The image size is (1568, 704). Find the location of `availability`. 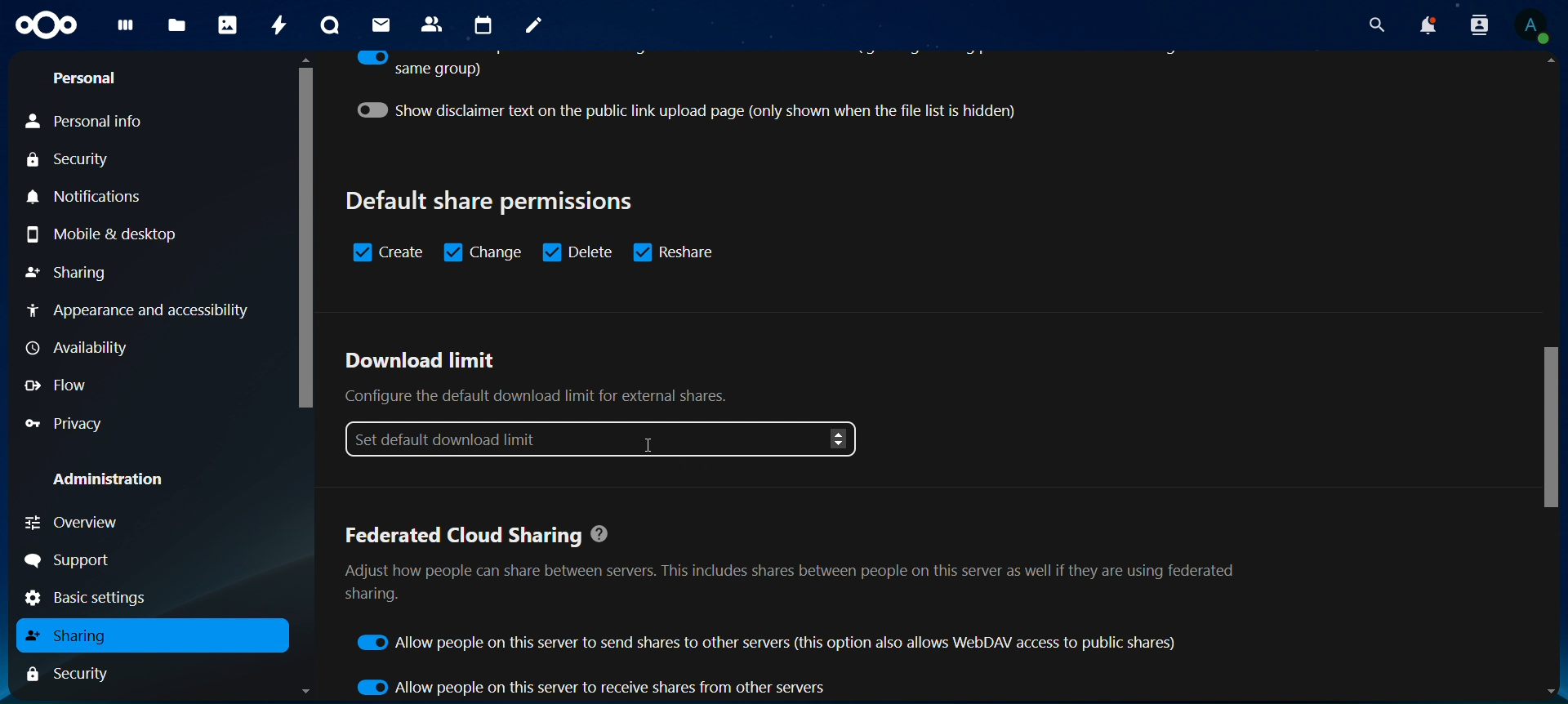

availability is located at coordinates (82, 348).